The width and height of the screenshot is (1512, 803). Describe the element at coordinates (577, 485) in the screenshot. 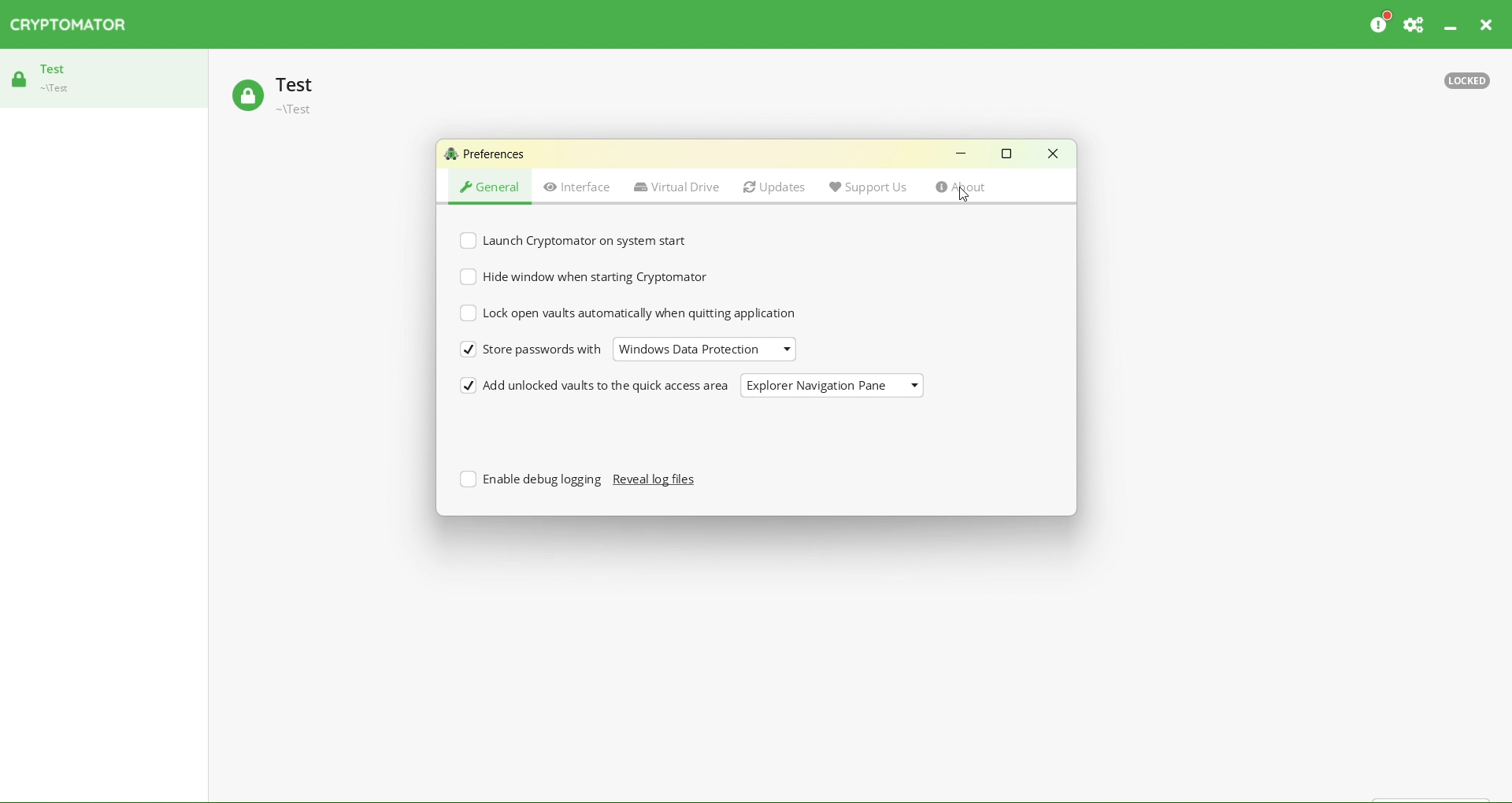

I see `Enable debug loggin` at that location.